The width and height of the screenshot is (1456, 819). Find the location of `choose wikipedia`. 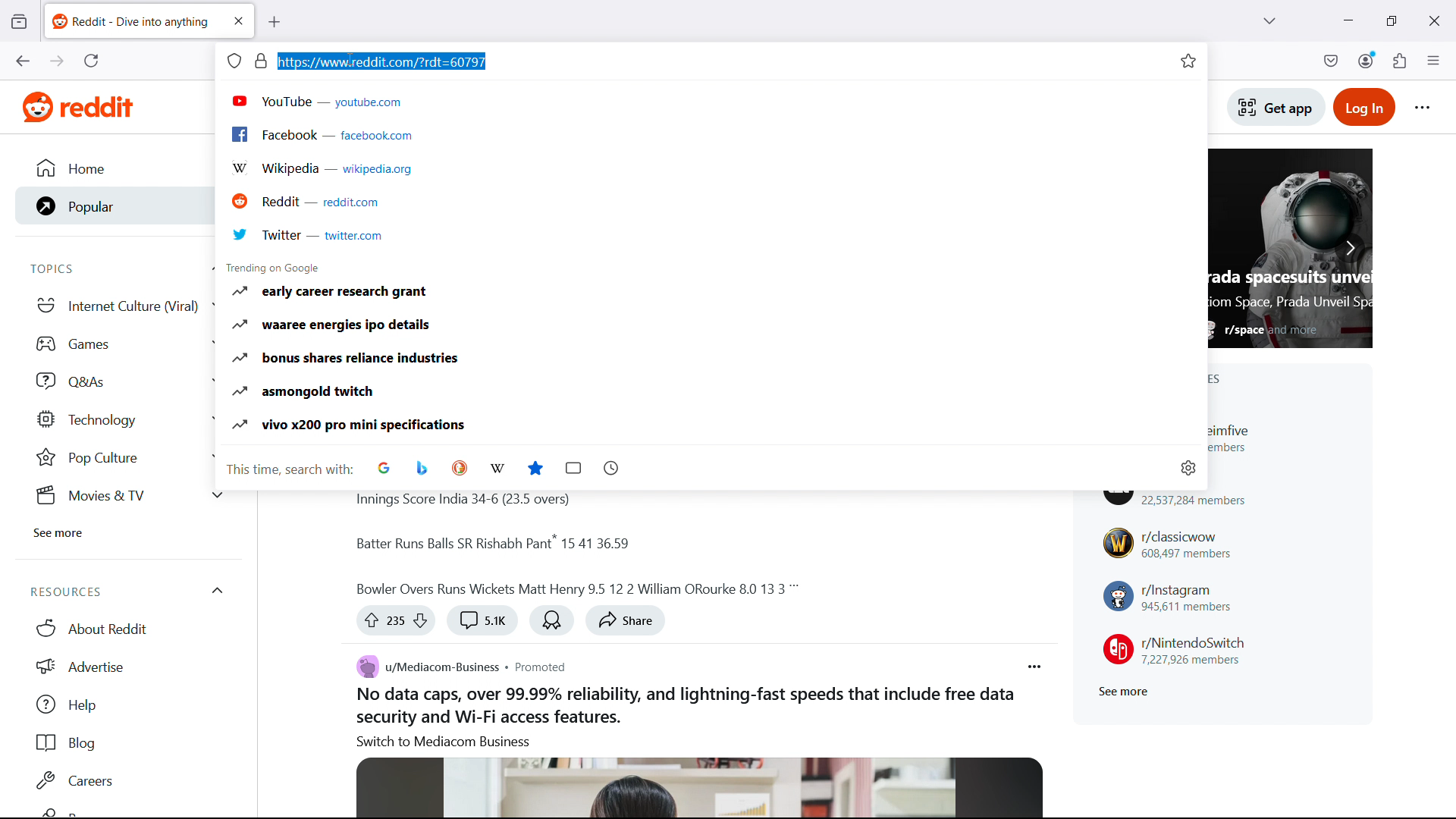

choose wikipedia is located at coordinates (497, 469).